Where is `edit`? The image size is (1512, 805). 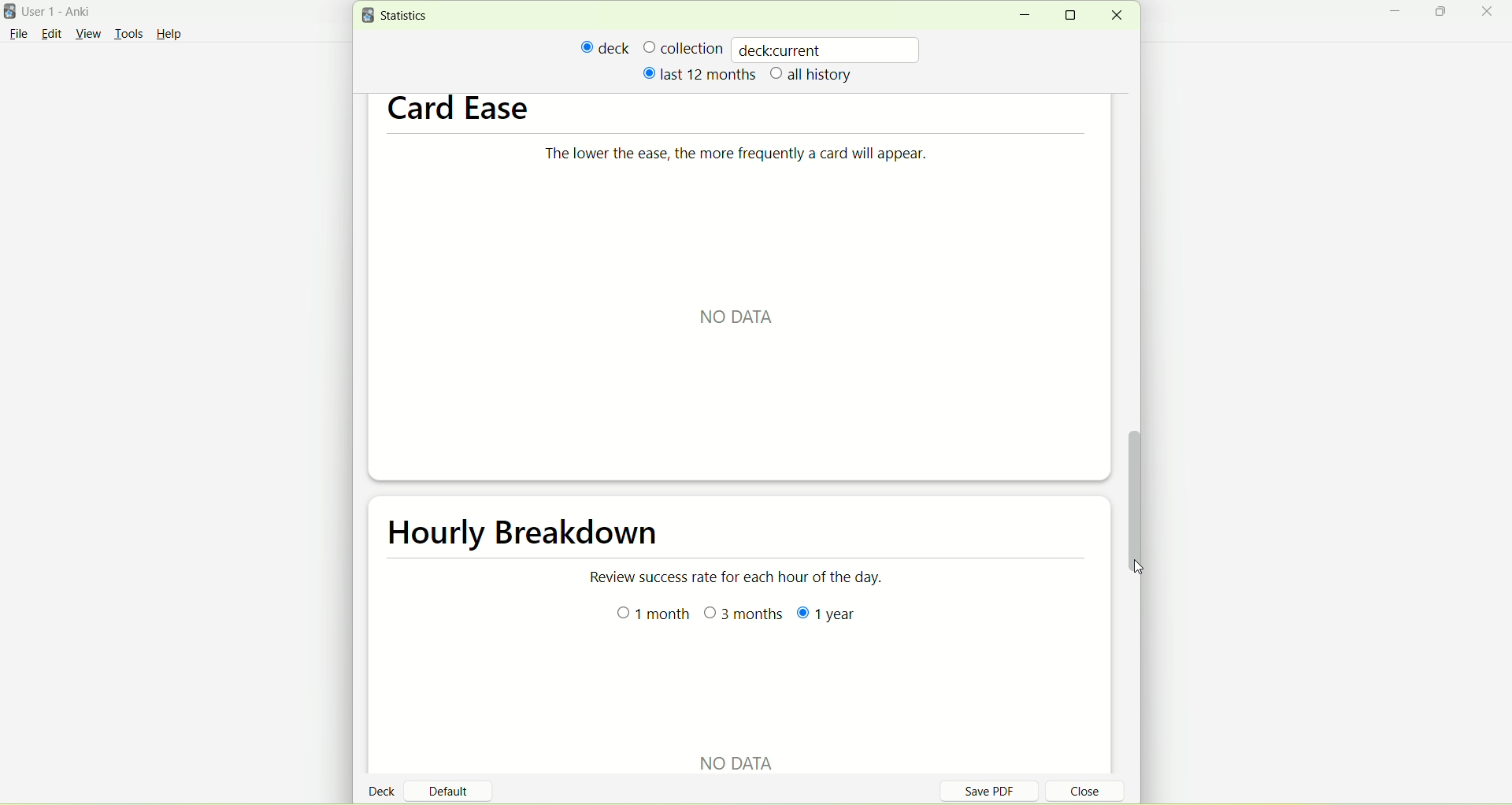
edit is located at coordinates (51, 33).